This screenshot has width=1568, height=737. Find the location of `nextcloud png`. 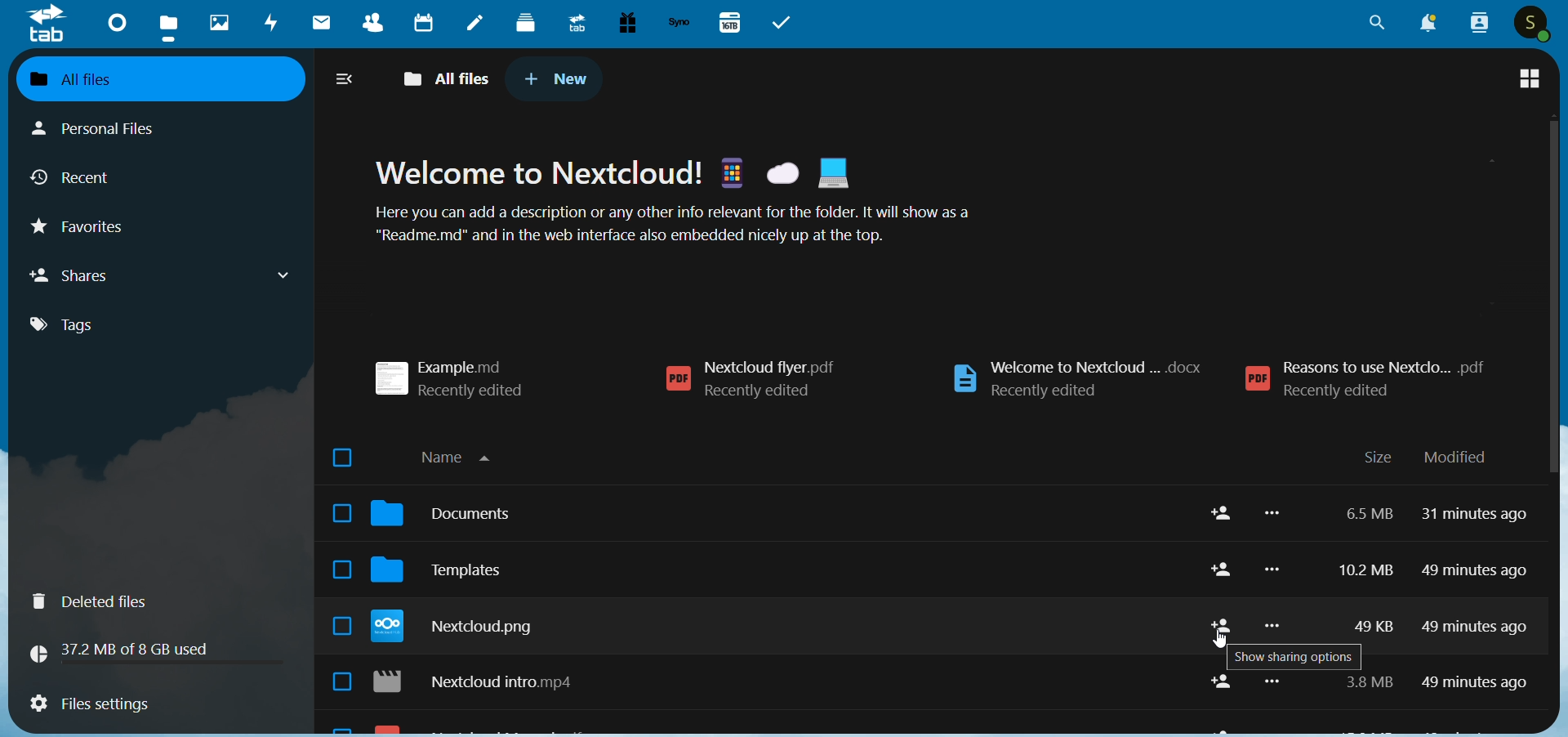

nextcloud png is located at coordinates (461, 629).